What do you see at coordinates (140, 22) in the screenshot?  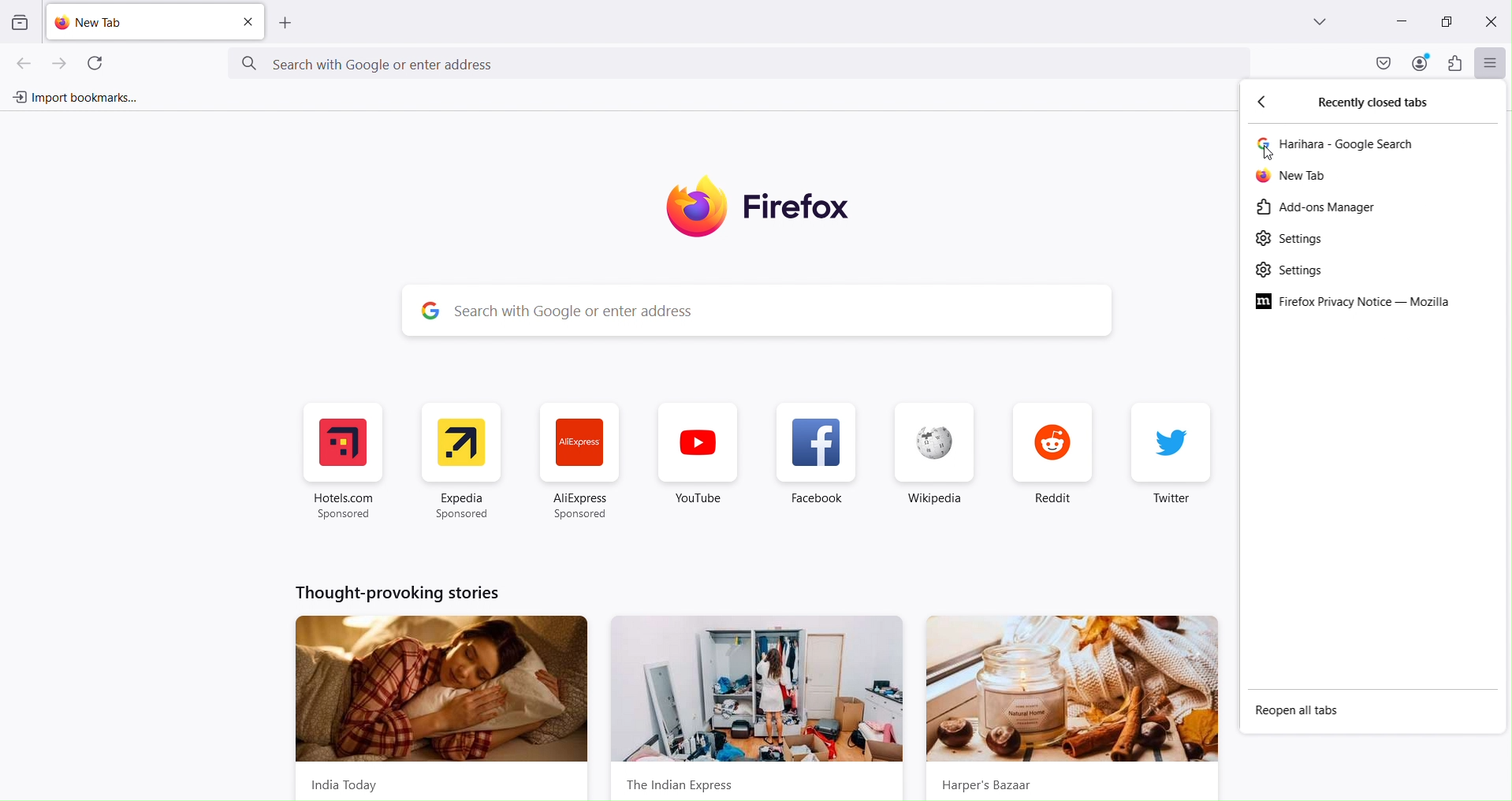 I see `Add new tab` at bounding box center [140, 22].